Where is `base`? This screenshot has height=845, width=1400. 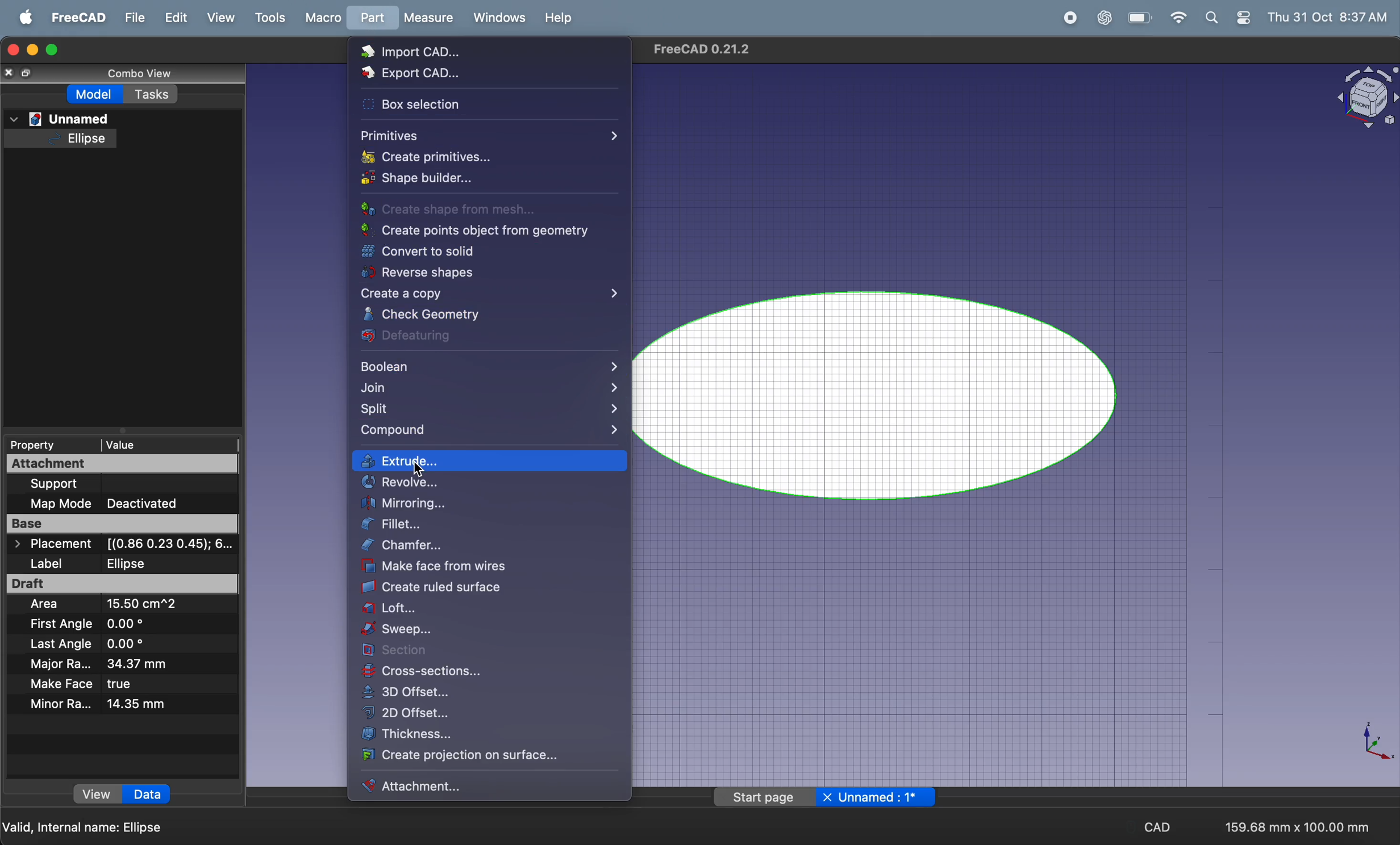 base is located at coordinates (124, 525).